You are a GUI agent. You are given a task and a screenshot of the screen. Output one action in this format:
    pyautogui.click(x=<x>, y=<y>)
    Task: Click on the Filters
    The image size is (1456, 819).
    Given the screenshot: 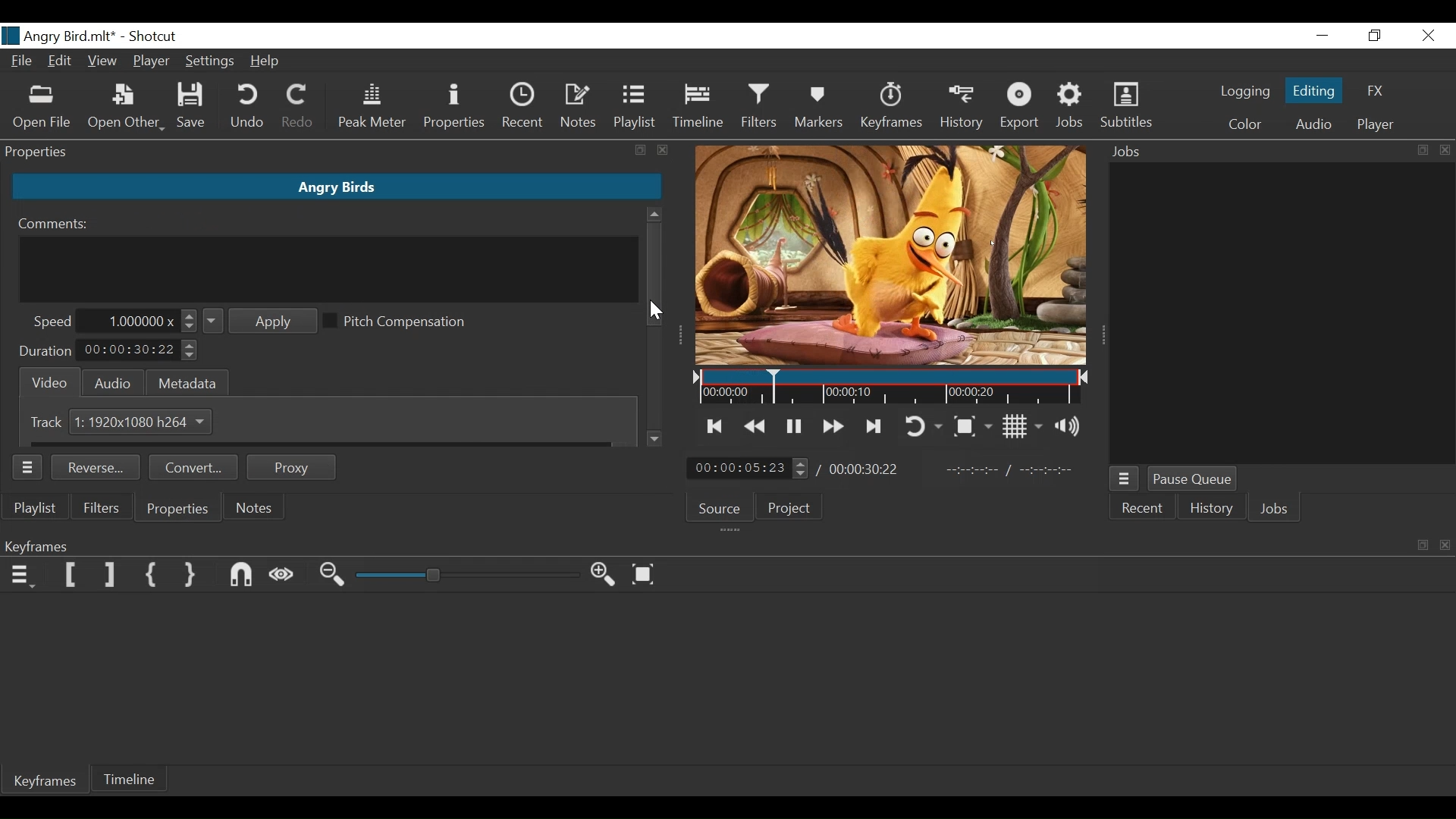 What is the action you would take?
    pyautogui.click(x=758, y=108)
    